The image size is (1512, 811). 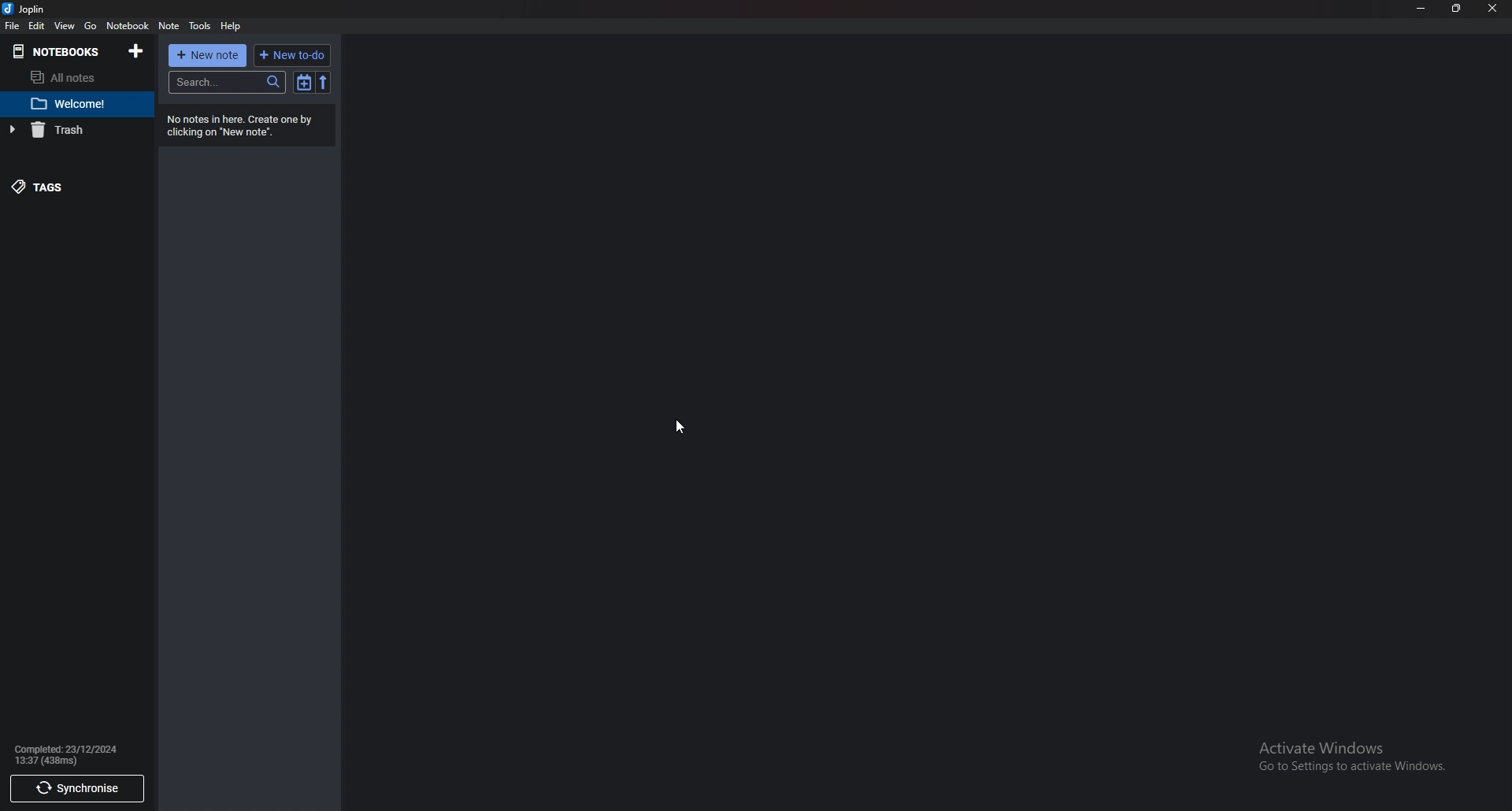 I want to click on Info, so click(x=72, y=754).